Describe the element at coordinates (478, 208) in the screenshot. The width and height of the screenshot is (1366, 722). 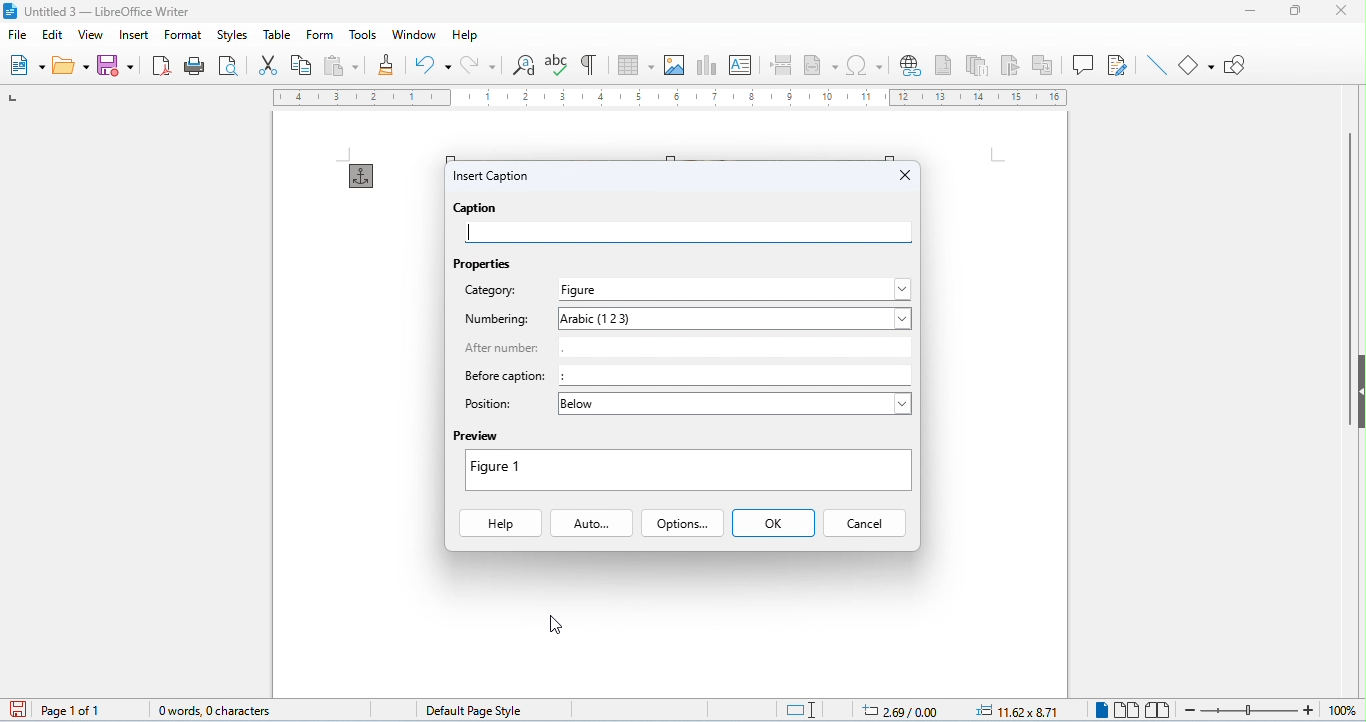
I see `caption` at that location.